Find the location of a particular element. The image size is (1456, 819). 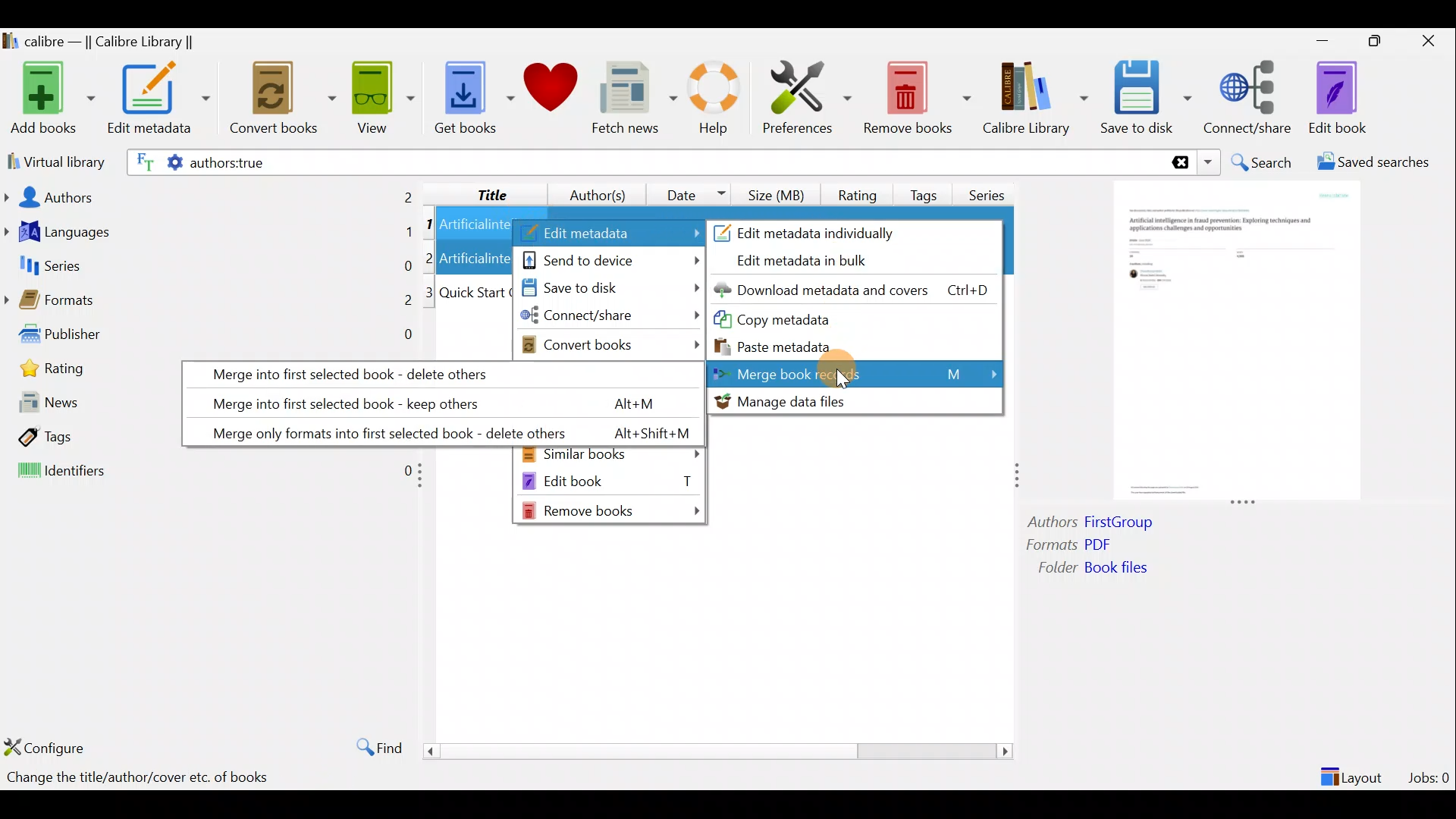

Paste metadata is located at coordinates (788, 345).